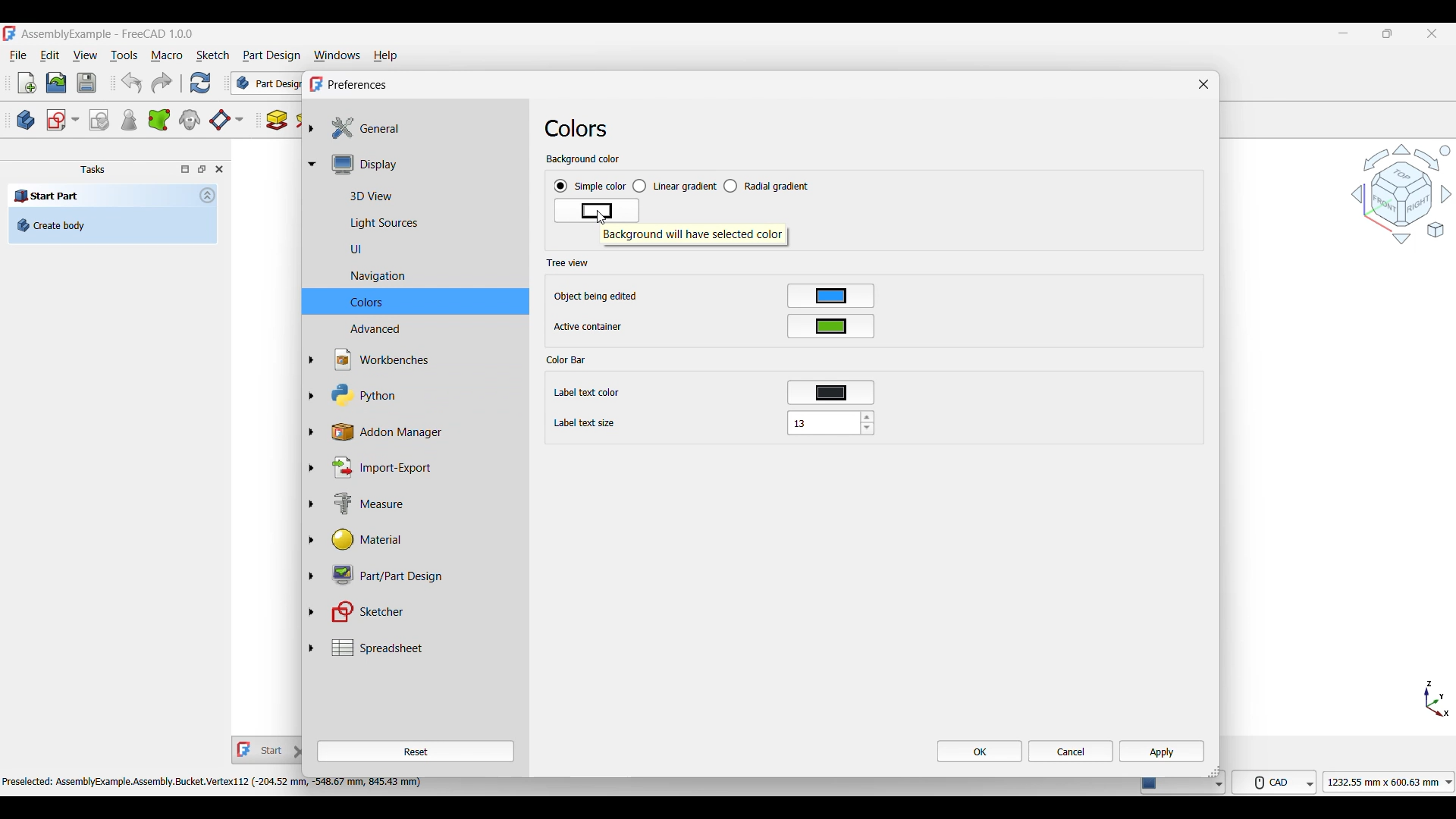 This screenshot has width=1456, height=819. Describe the element at coordinates (423, 302) in the screenshot. I see `Colors` at that location.